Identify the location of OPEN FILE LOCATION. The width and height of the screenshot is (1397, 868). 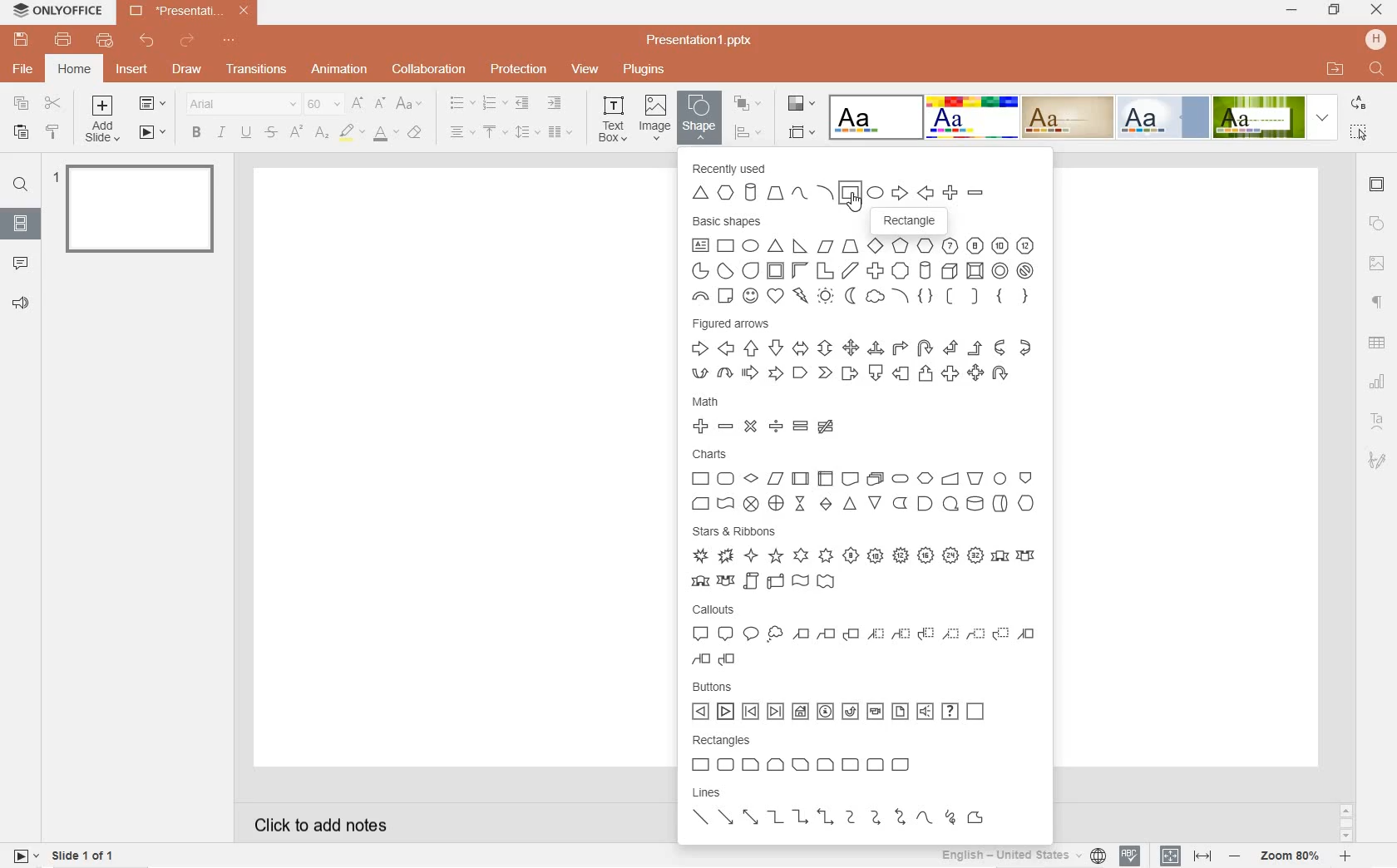
(1336, 69).